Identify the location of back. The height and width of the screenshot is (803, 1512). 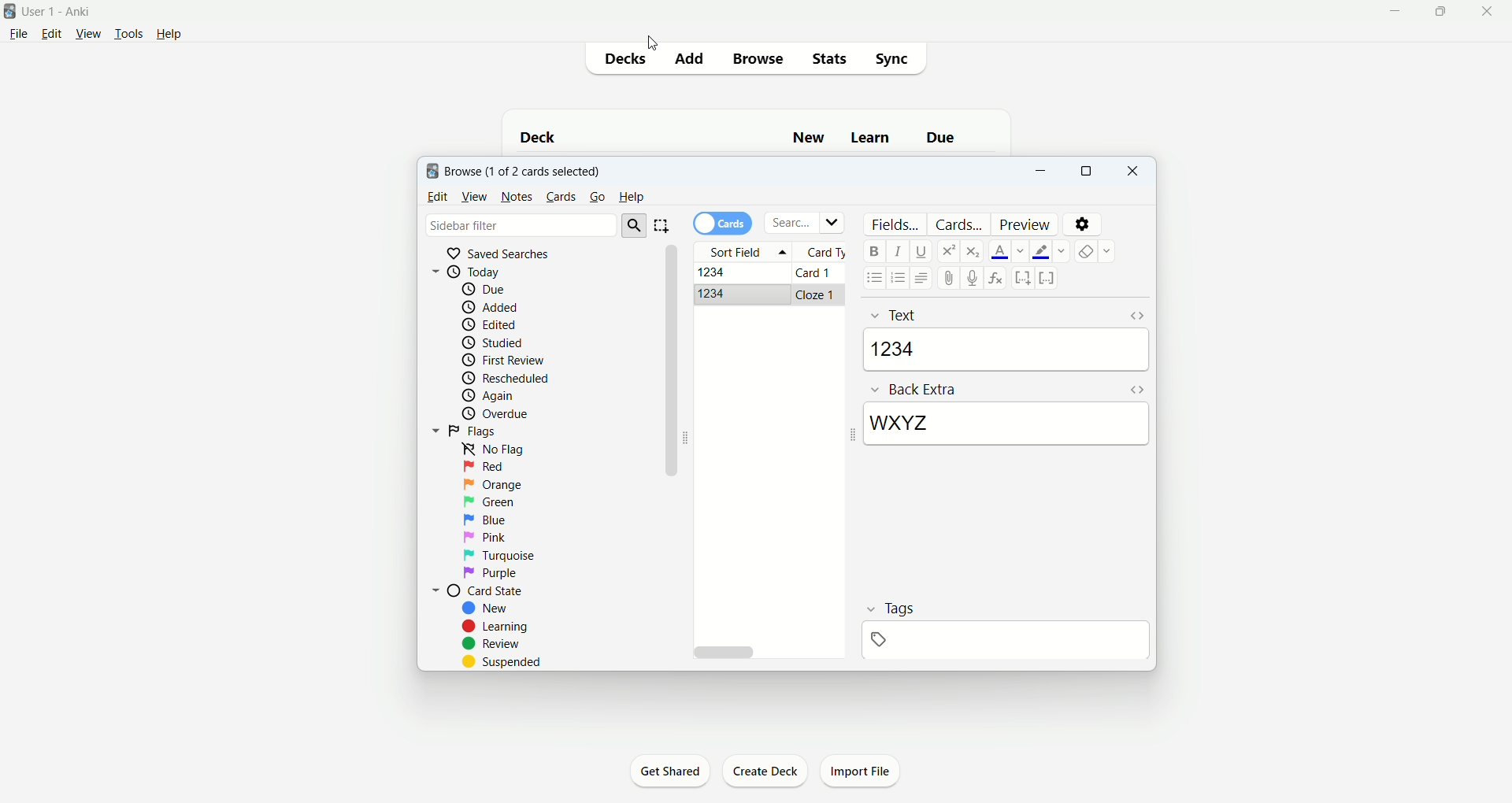
(913, 390).